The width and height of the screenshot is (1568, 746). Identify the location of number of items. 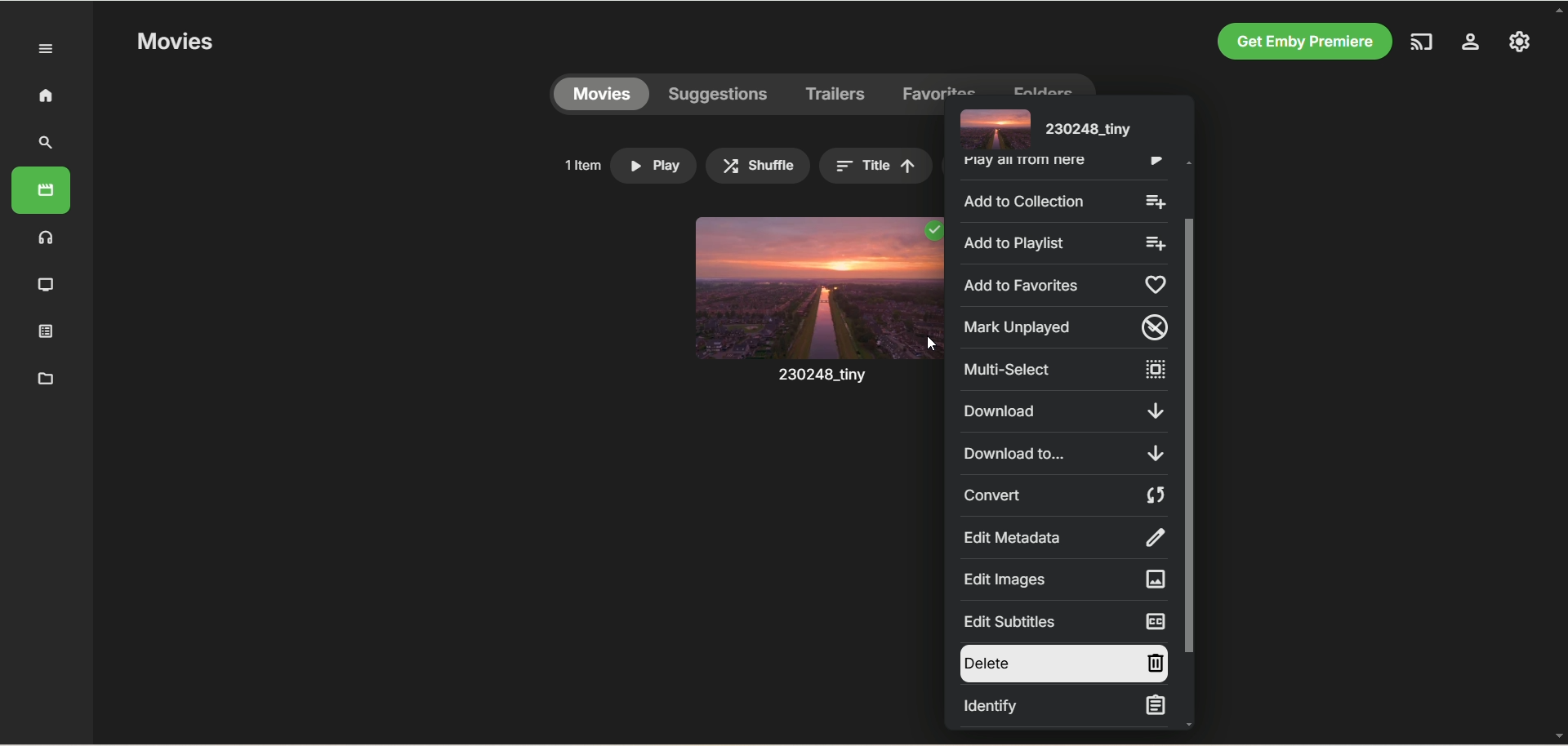
(581, 165).